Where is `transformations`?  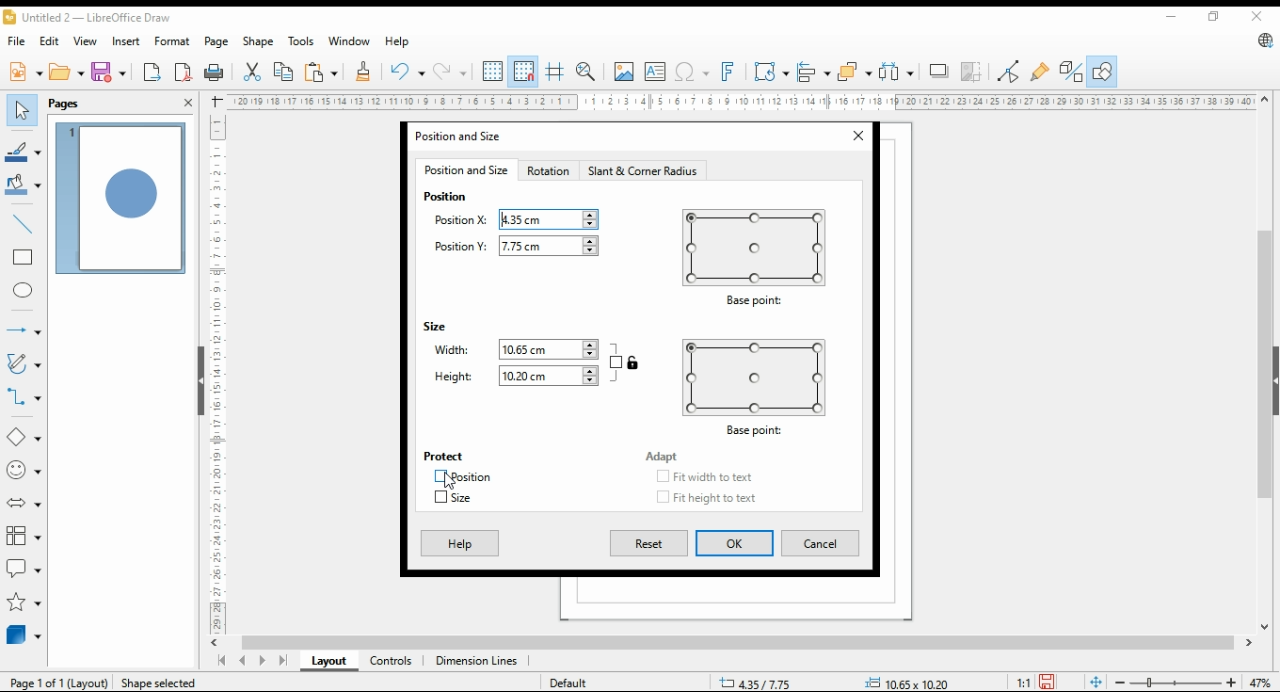 transformations is located at coordinates (771, 71).